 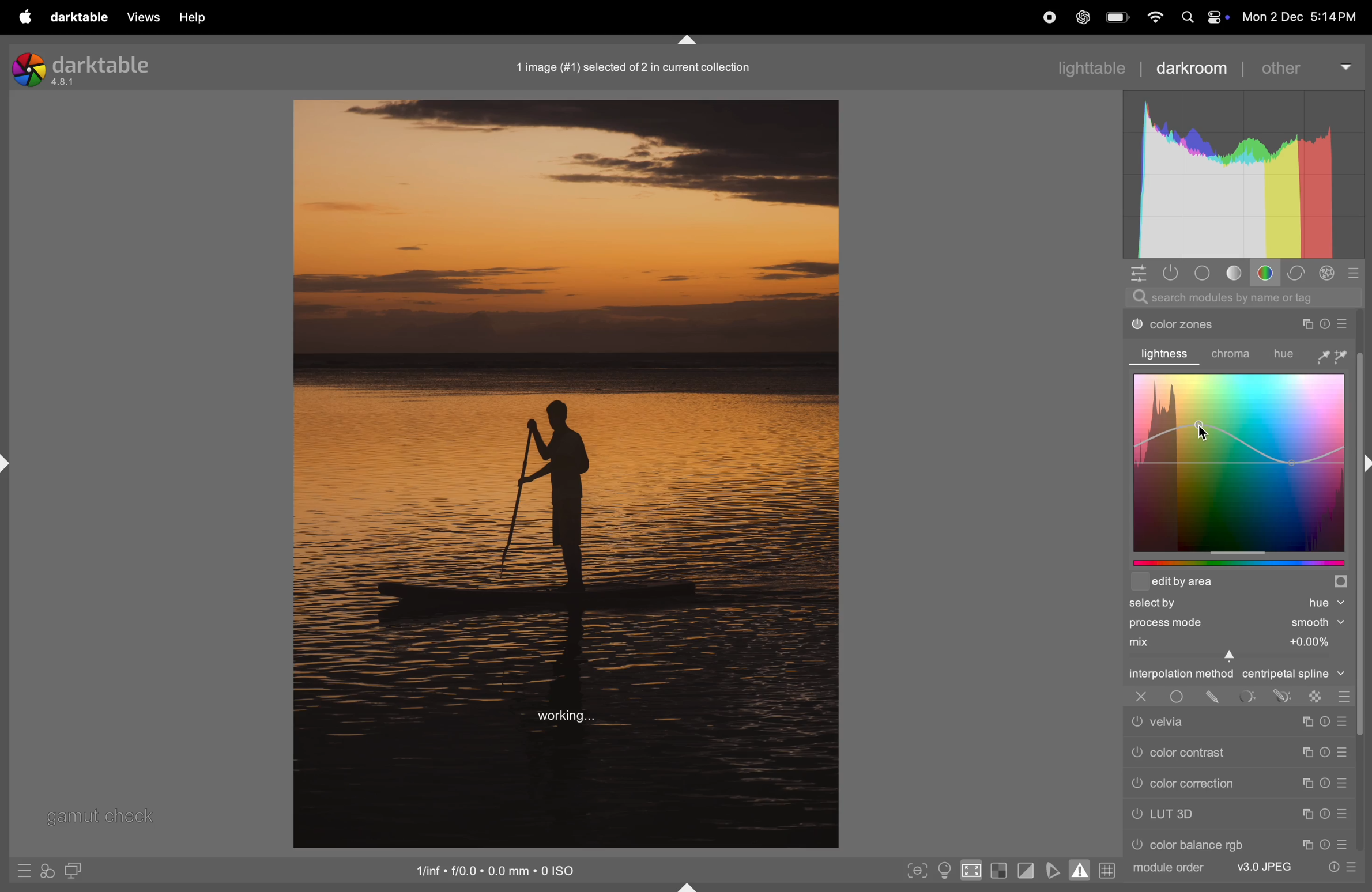 What do you see at coordinates (1175, 695) in the screenshot?
I see `` at bounding box center [1175, 695].